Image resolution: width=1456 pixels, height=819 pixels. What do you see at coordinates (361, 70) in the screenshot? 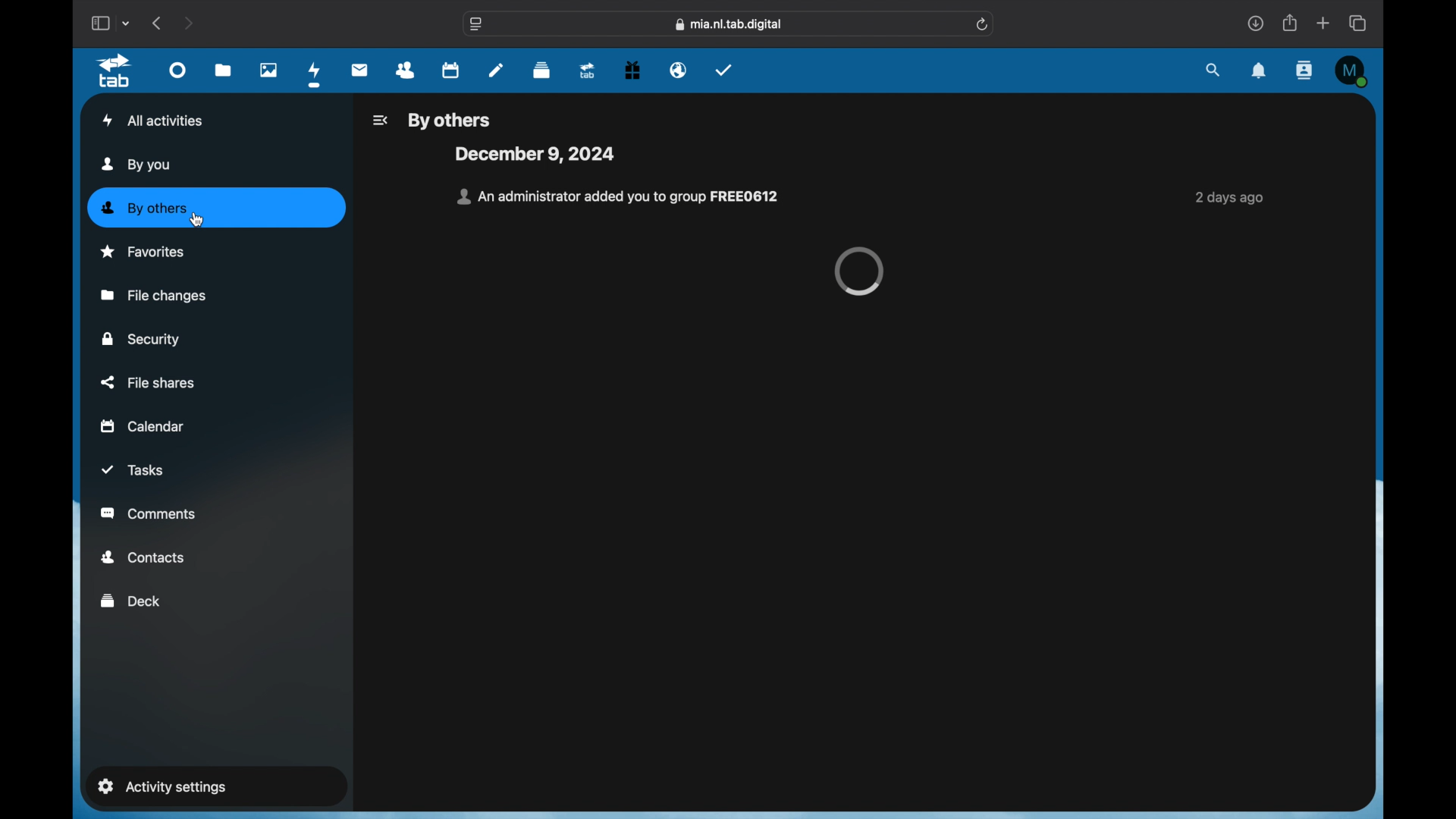
I see `mail` at bounding box center [361, 70].